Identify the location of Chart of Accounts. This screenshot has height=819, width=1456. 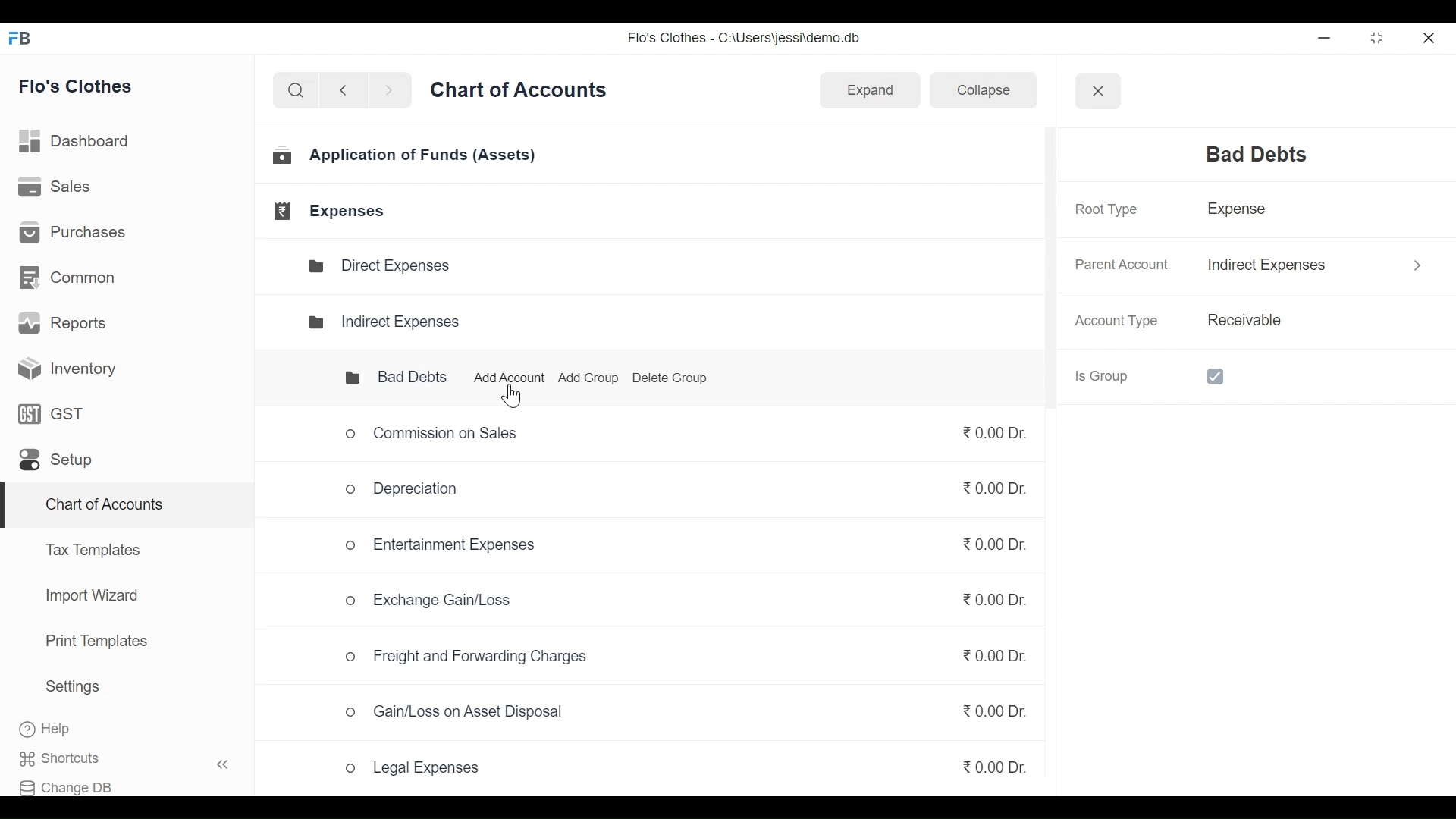
(101, 507).